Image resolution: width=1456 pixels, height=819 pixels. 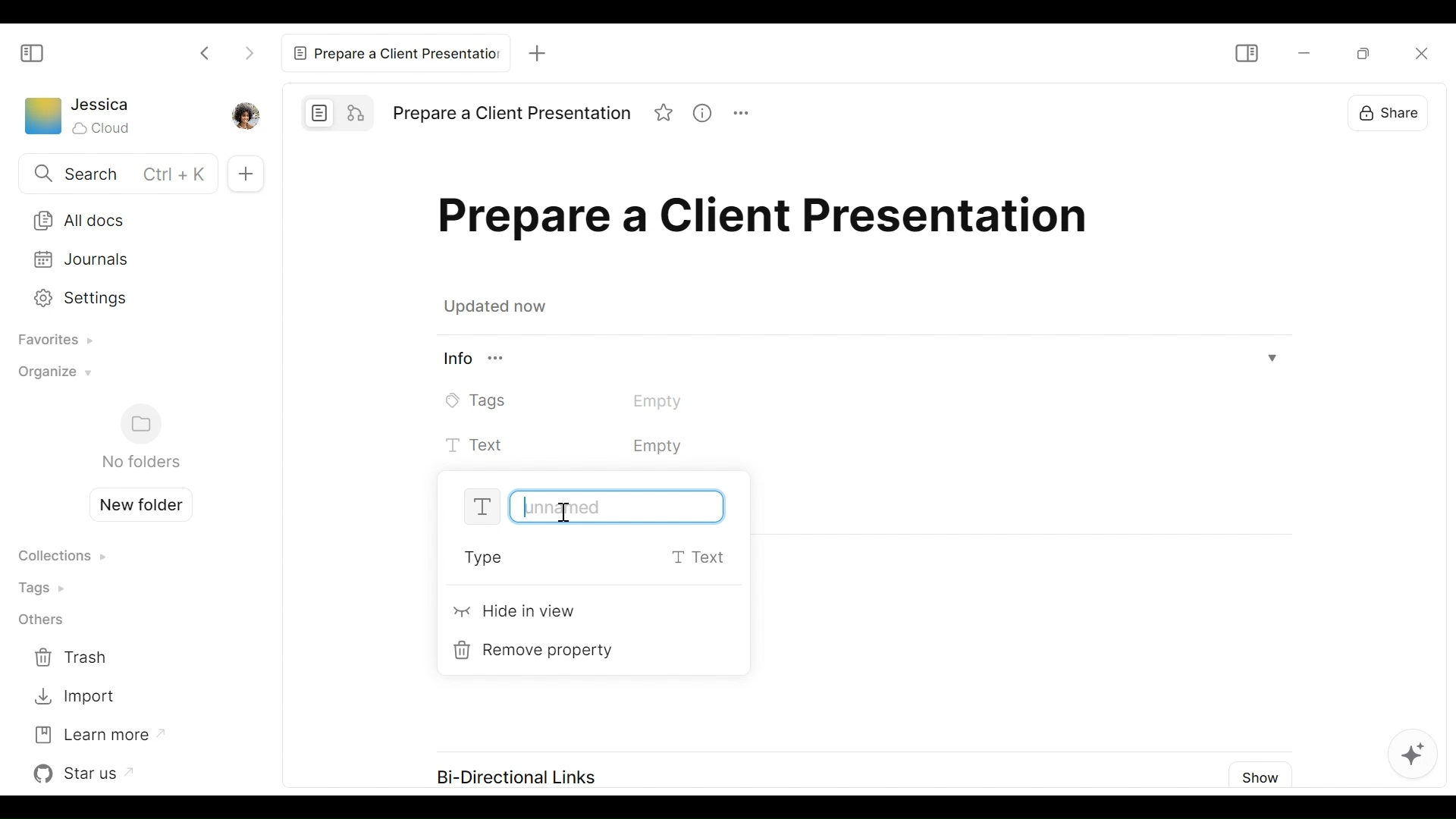 I want to click on Settings, so click(x=124, y=264).